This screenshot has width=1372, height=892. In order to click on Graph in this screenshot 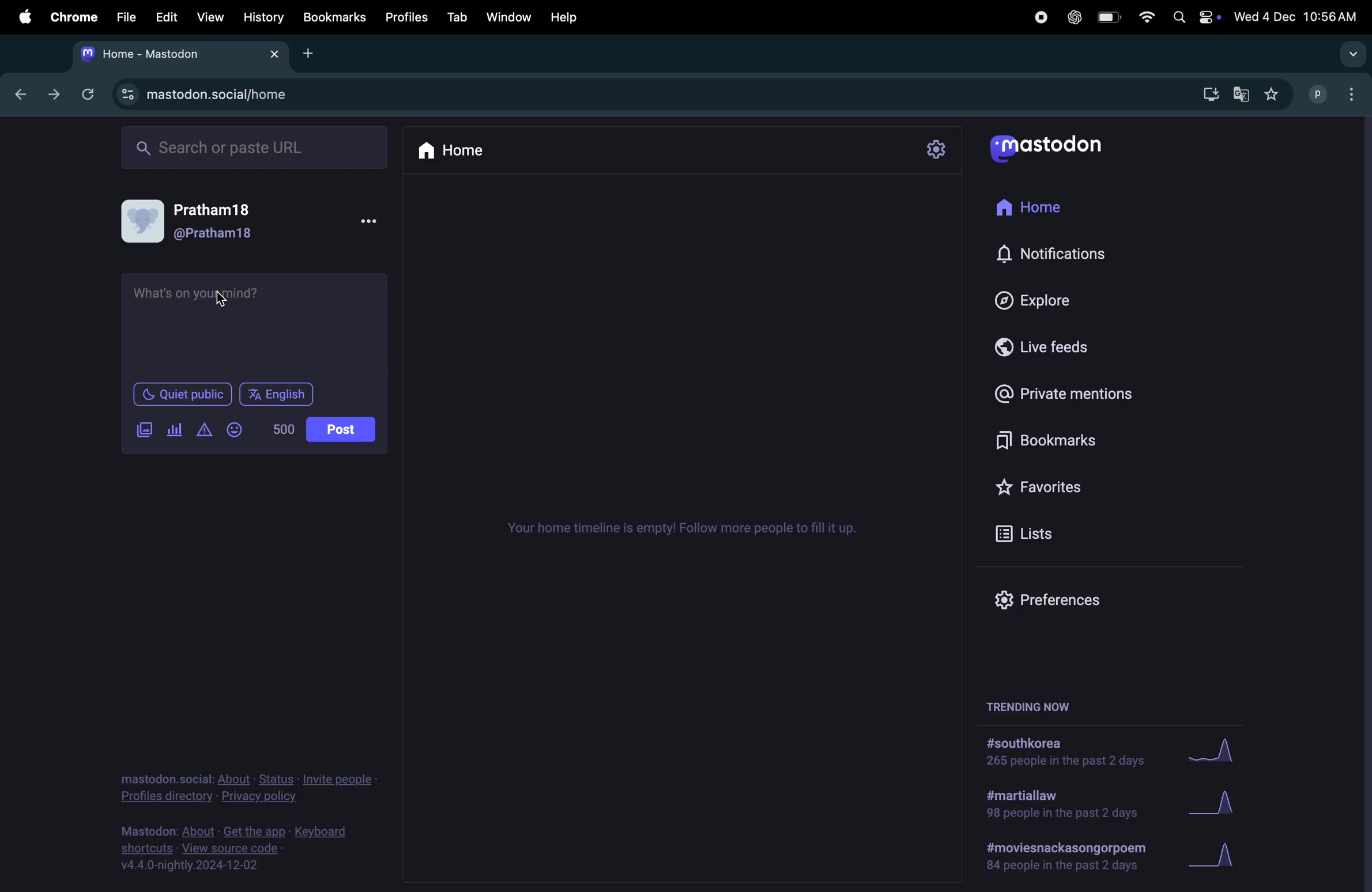, I will do `click(1219, 802)`.